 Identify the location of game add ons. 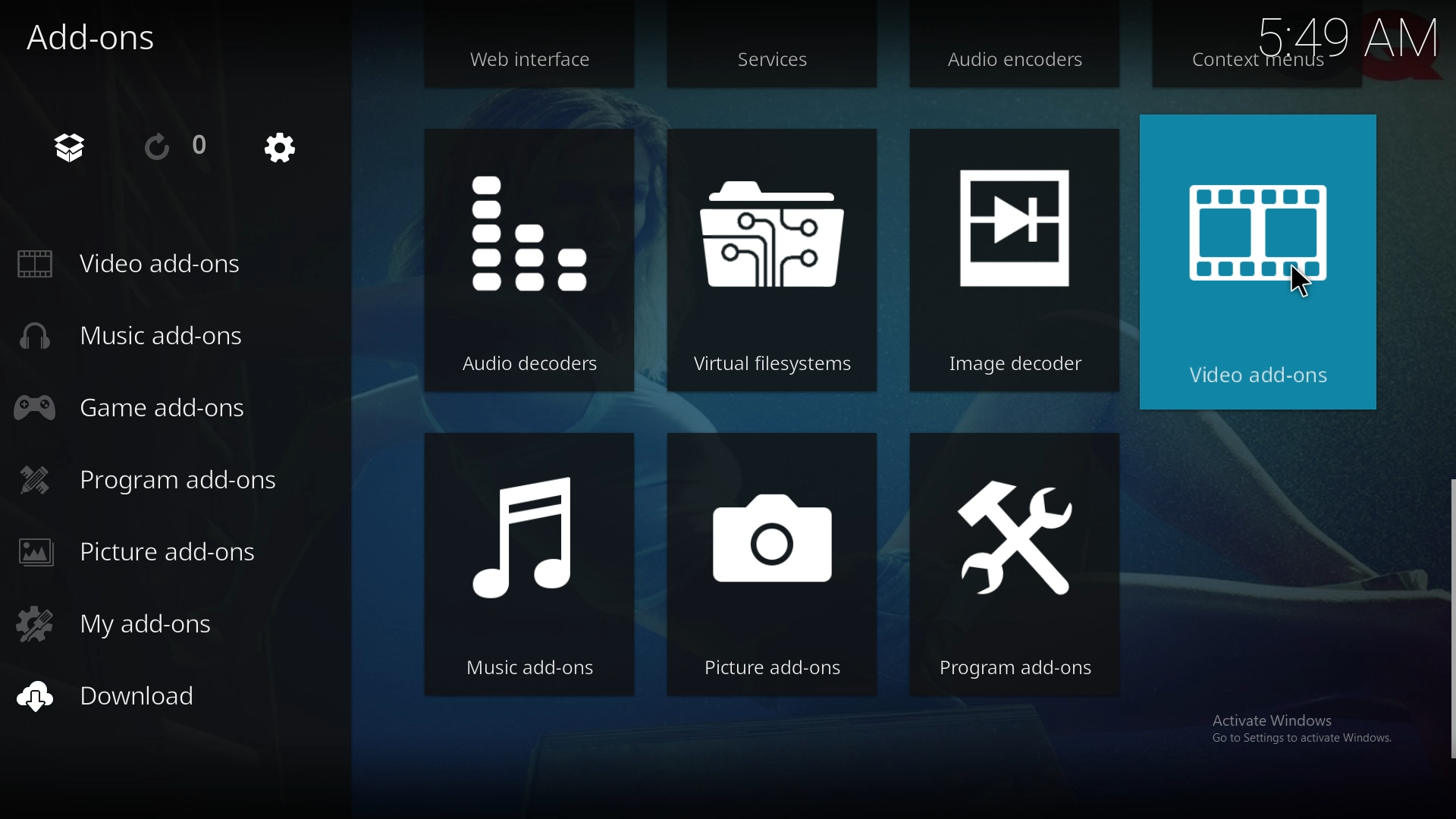
(141, 406).